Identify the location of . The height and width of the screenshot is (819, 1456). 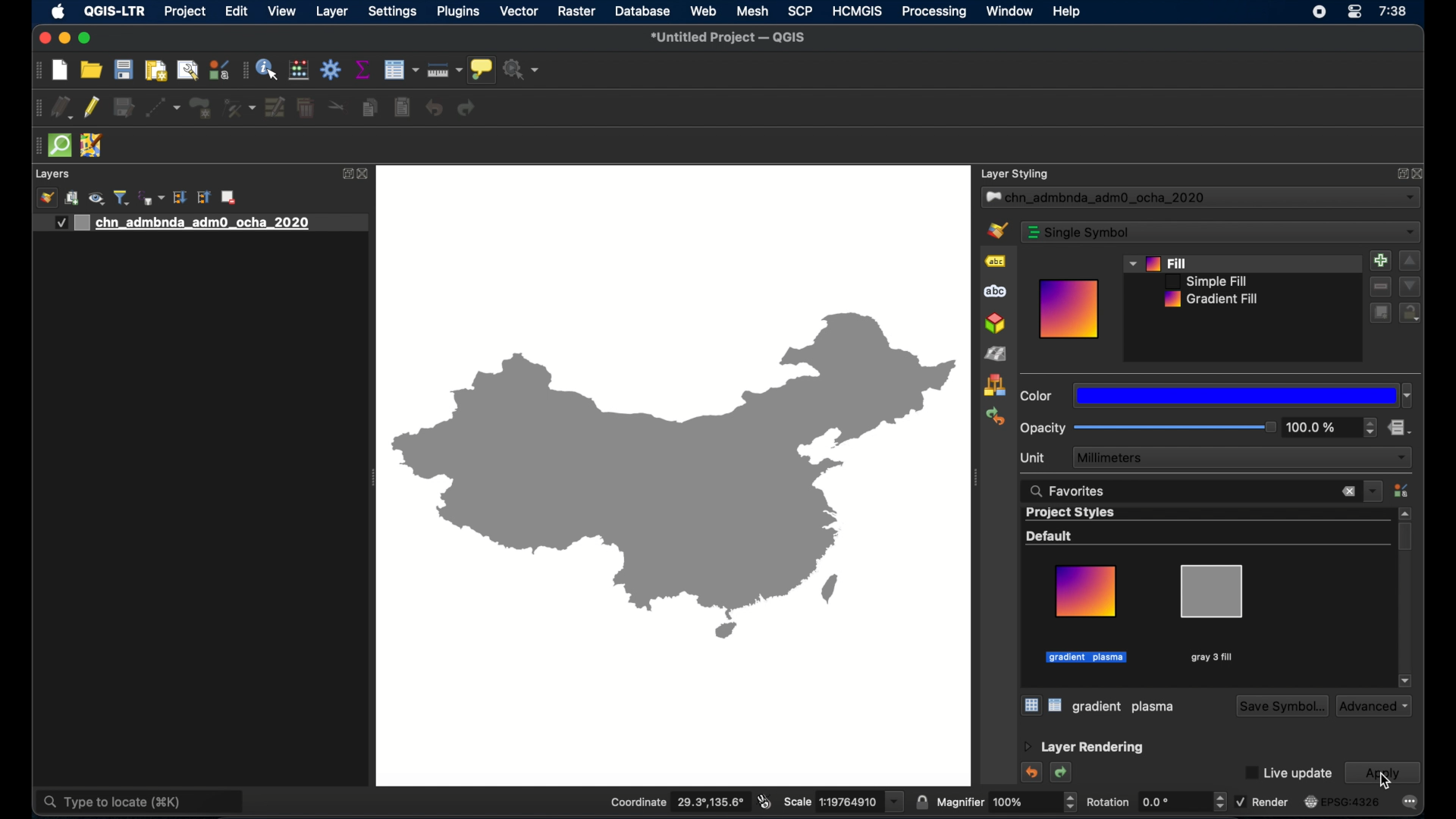
(673, 478).